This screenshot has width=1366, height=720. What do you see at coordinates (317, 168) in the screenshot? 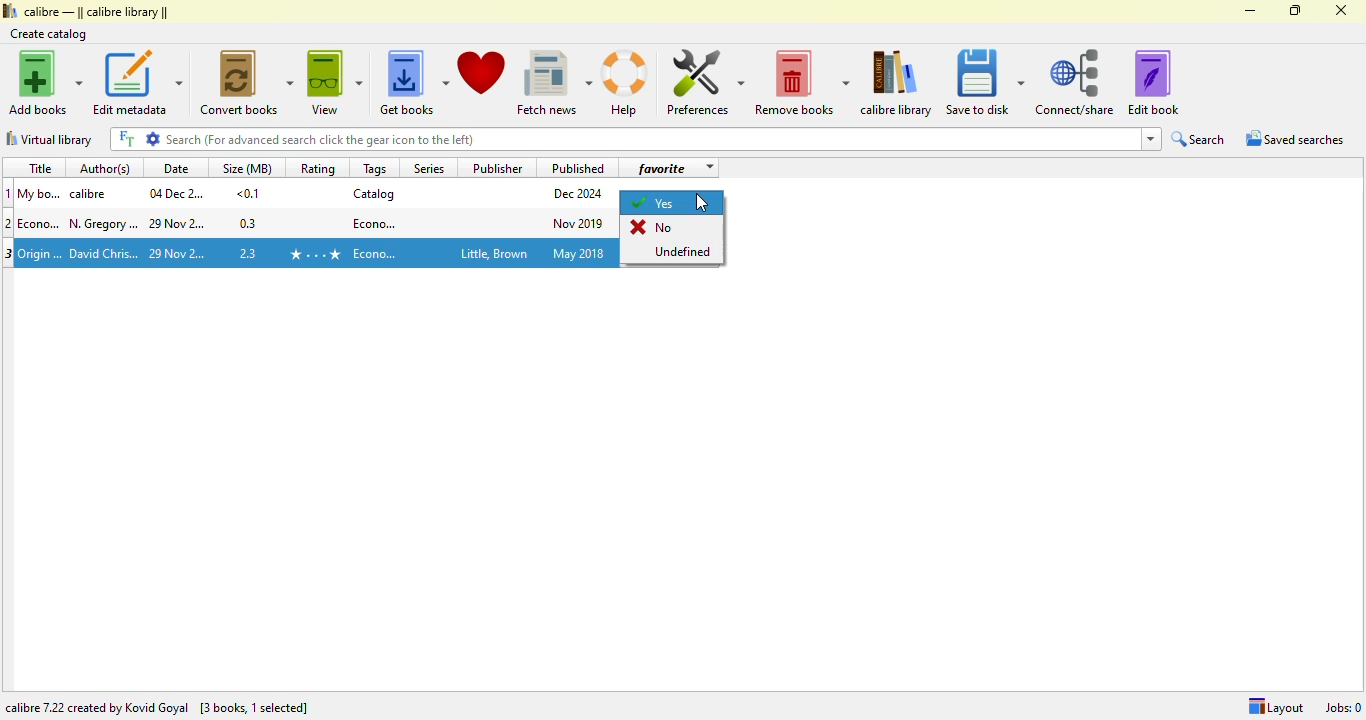
I see `rating` at bounding box center [317, 168].